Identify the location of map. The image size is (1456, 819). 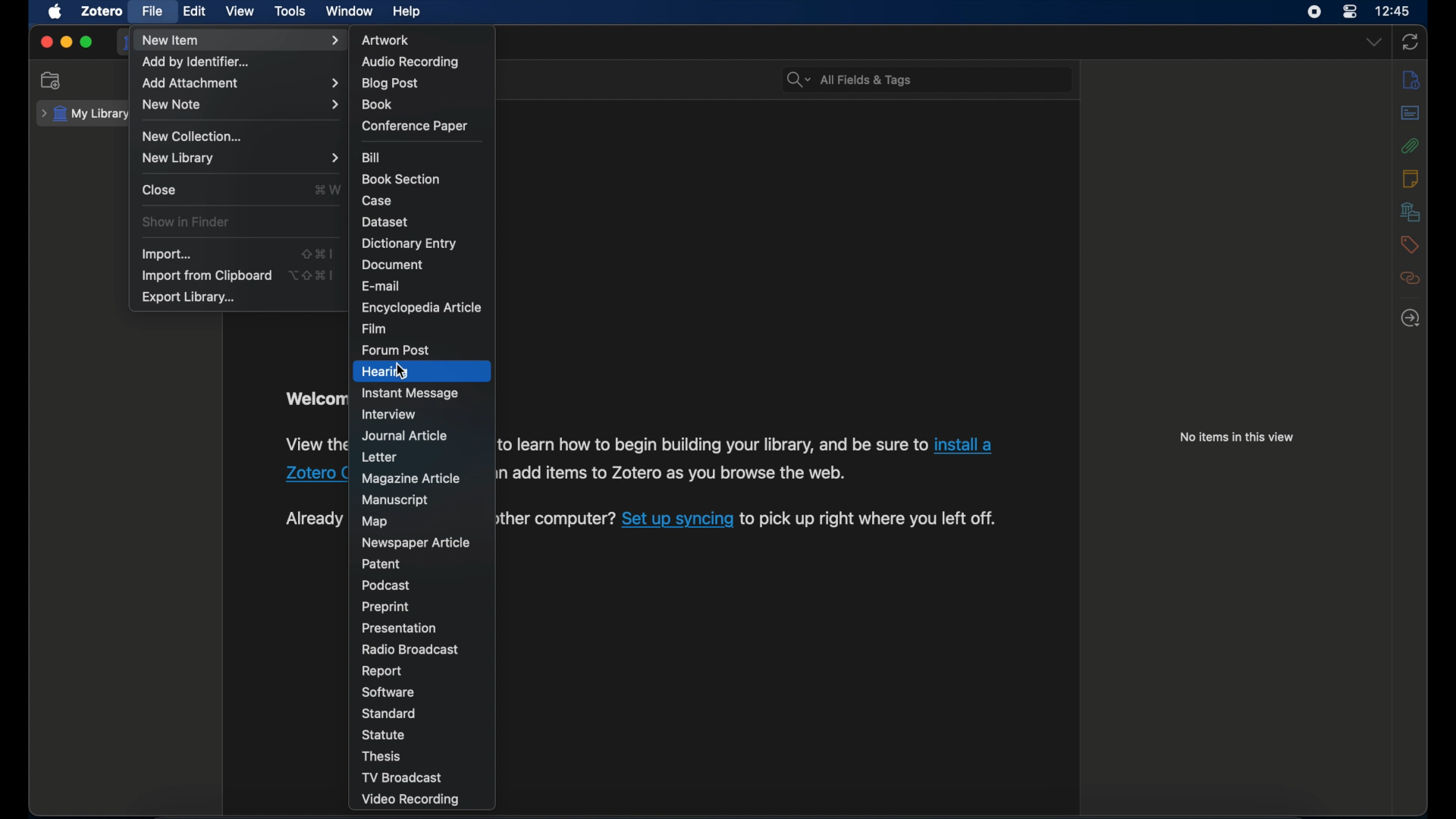
(372, 522).